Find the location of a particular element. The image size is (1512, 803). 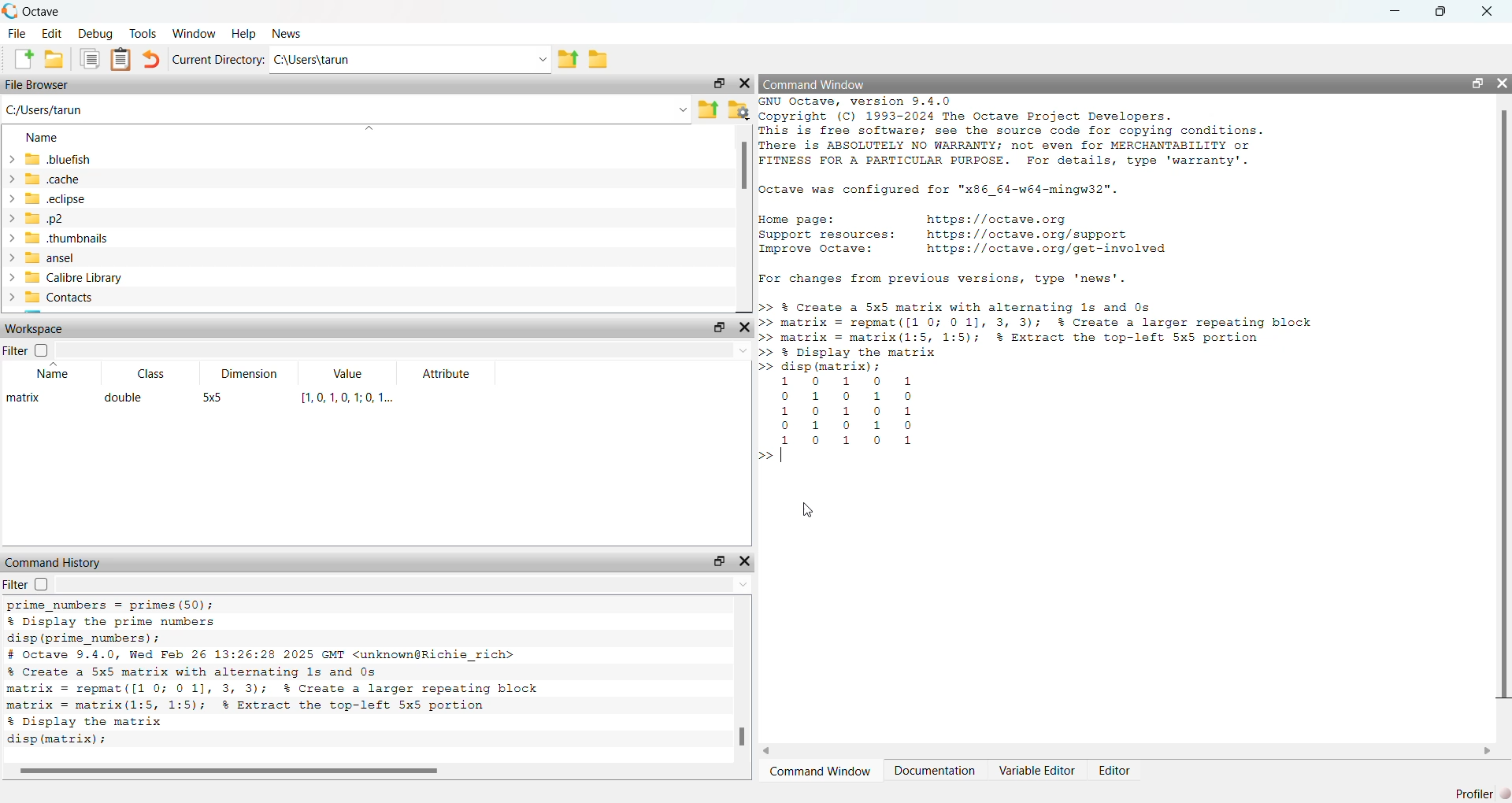

add folder is located at coordinates (54, 59).